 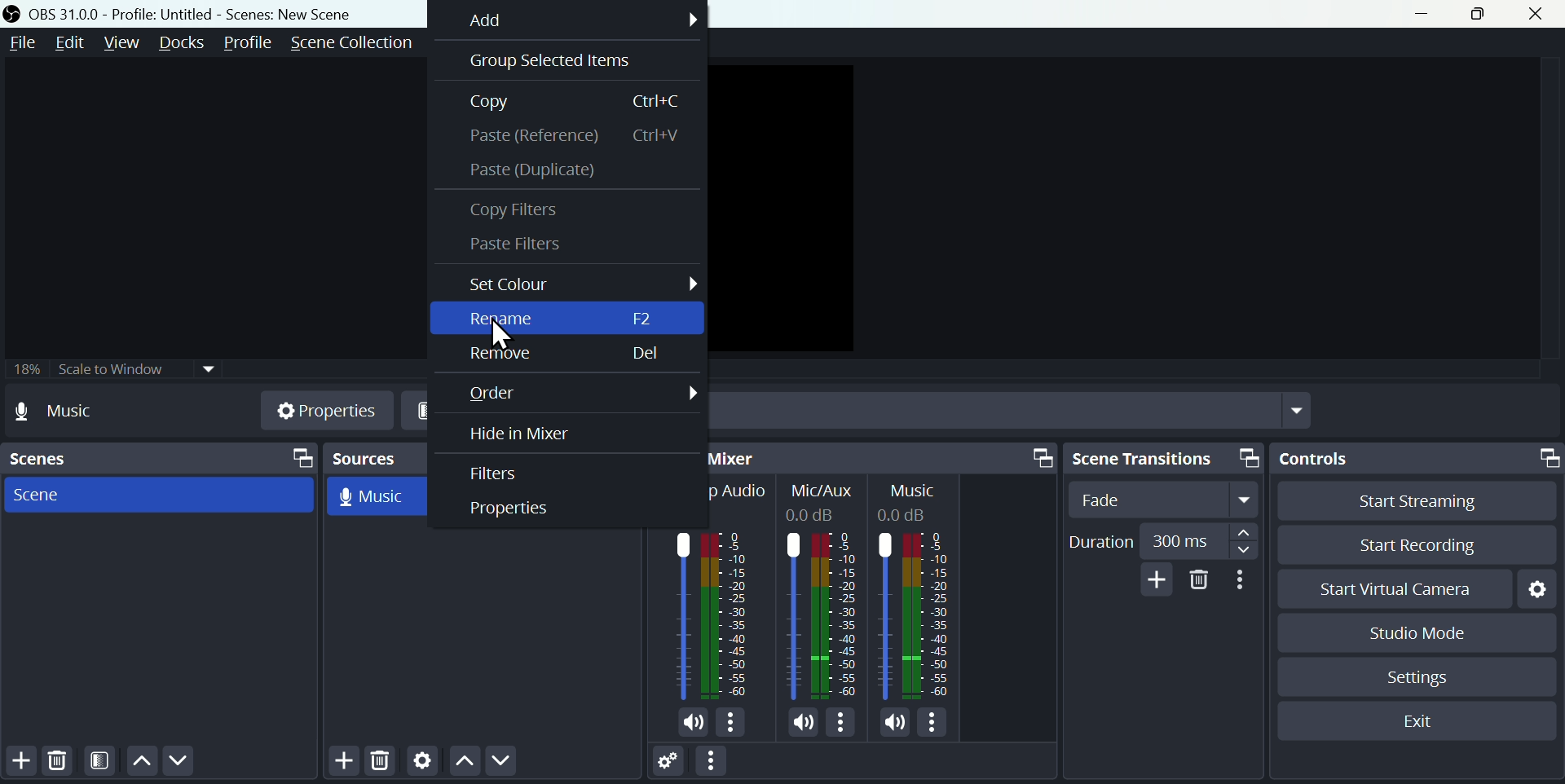 What do you see at coordinates (1422, 17) in the screenshot?
I see `minimise` at bounding box center [1422, 17].